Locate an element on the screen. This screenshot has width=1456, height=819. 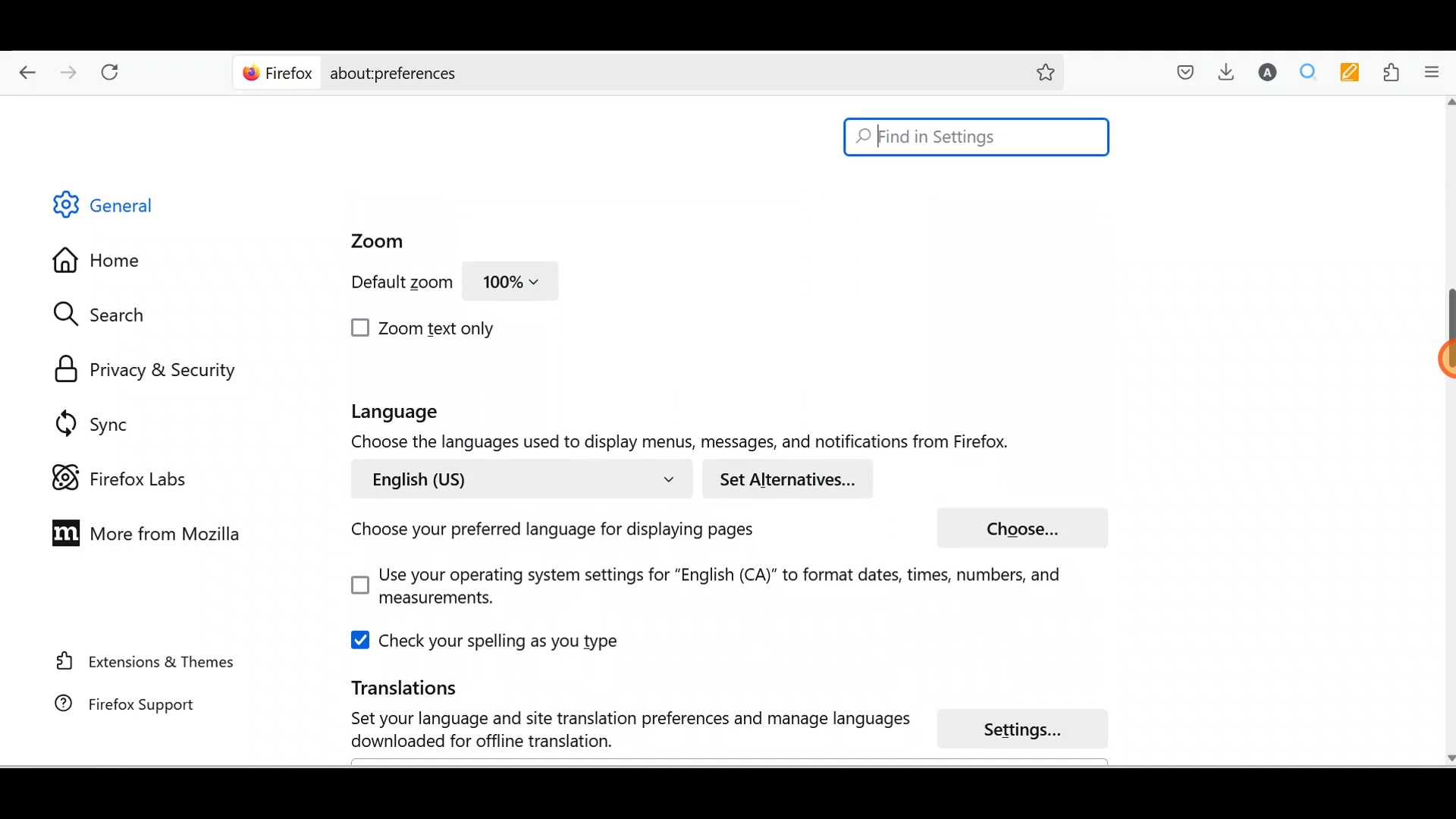
100% is located at coordinates (512, 285).